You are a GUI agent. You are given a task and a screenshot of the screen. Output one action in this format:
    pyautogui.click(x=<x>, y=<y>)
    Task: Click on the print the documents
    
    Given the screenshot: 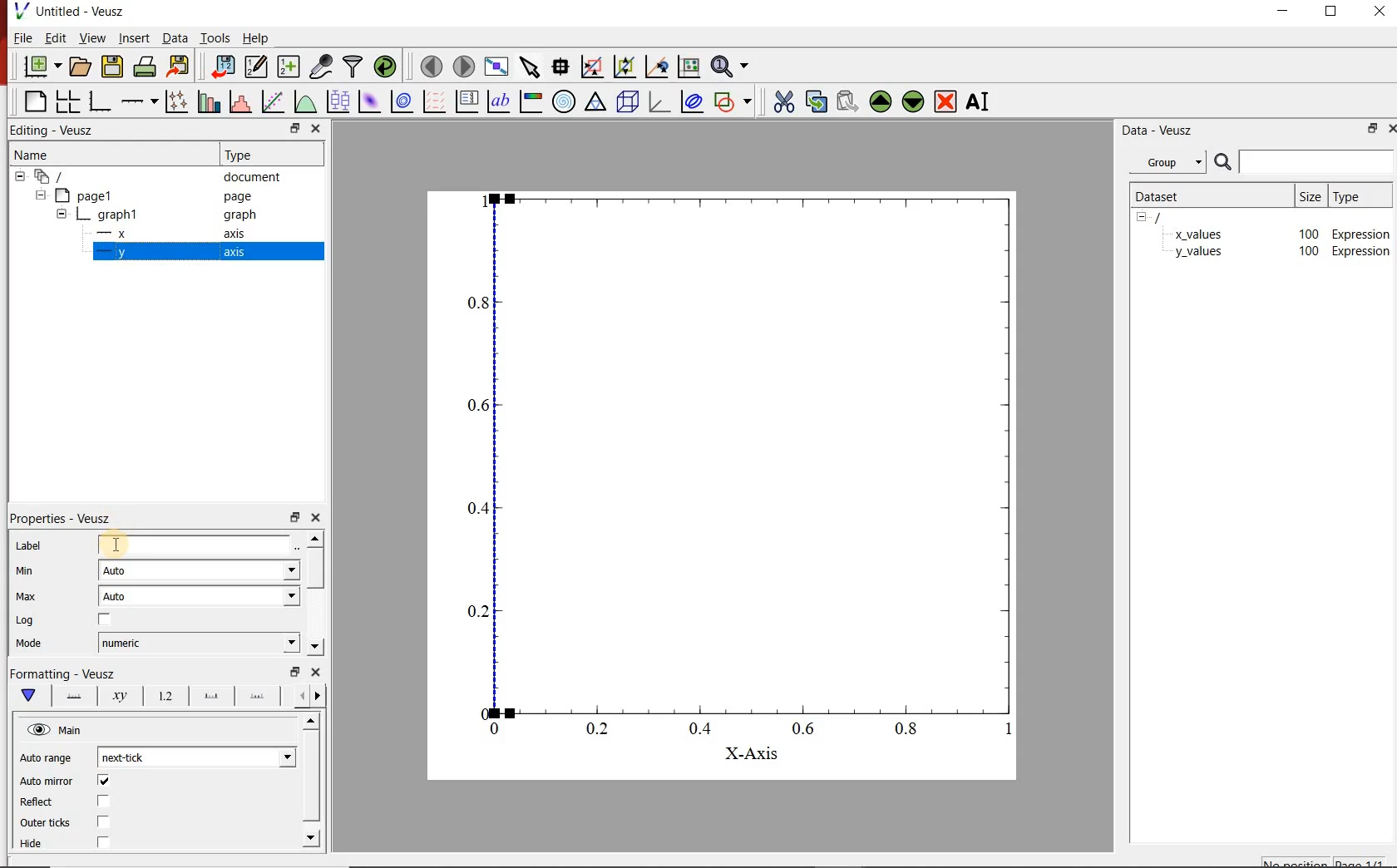 What is the action you would take?
    pyautogui.click(x=145, y=67)
    